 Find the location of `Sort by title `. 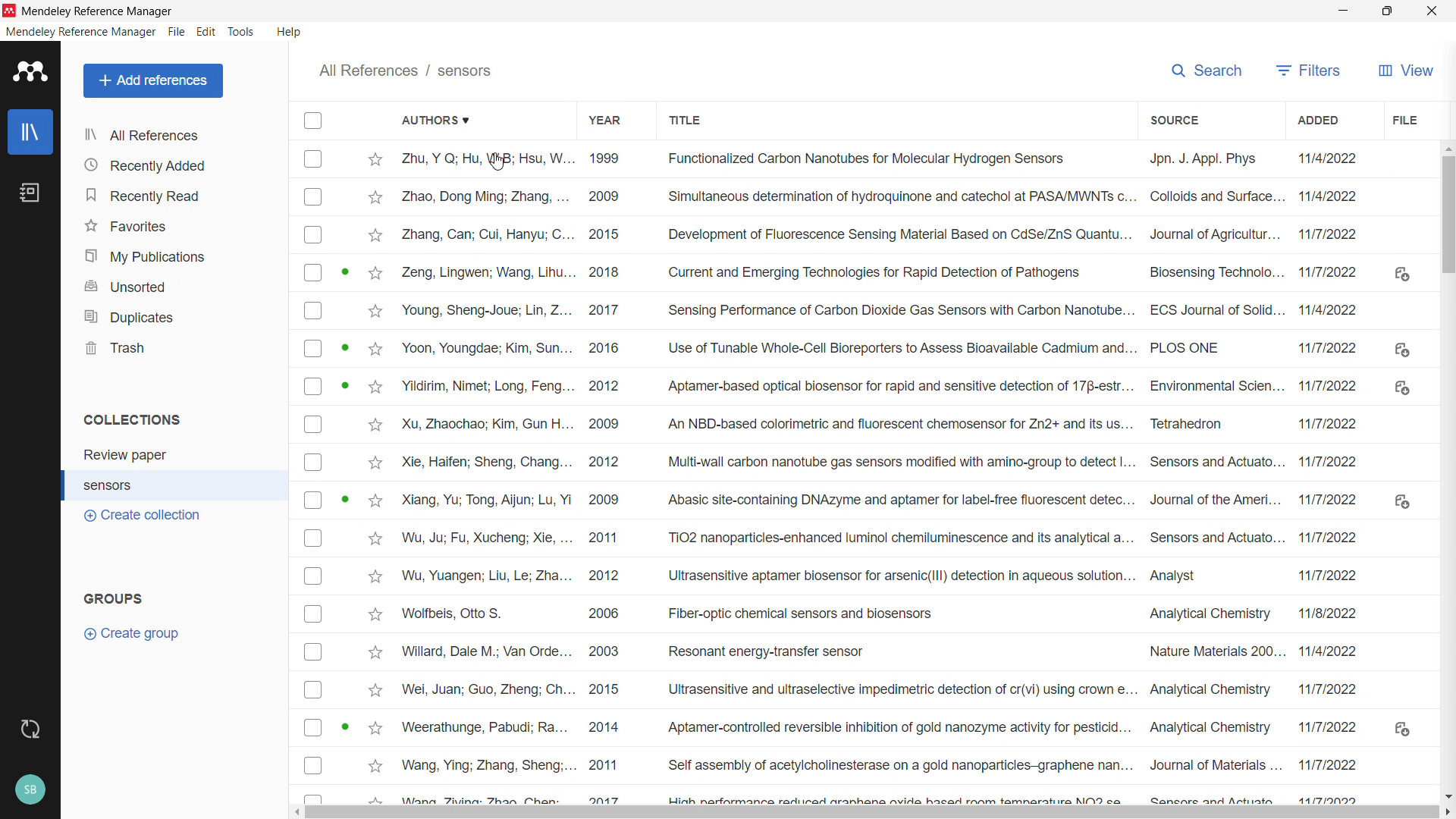

Sort by title  is located at coordinates (686, 120).